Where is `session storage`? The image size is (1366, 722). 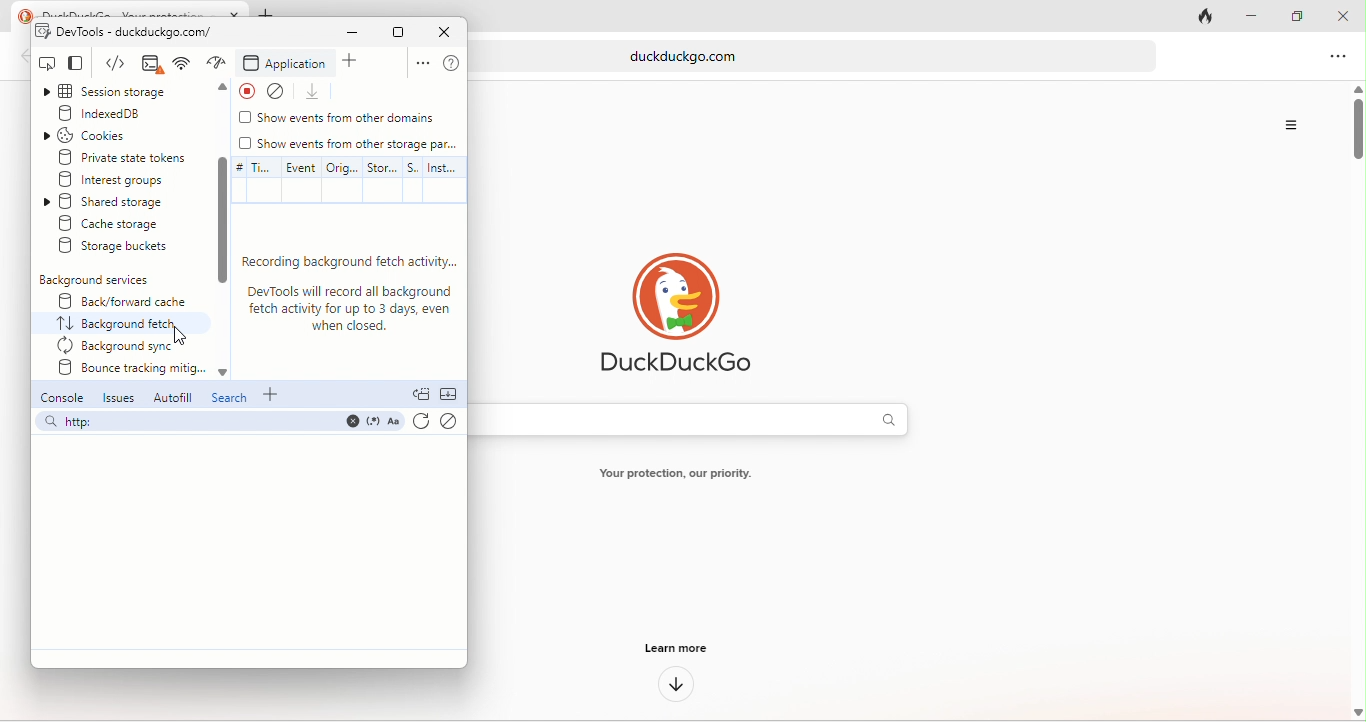
session storage is located at coordinates (121, 92).